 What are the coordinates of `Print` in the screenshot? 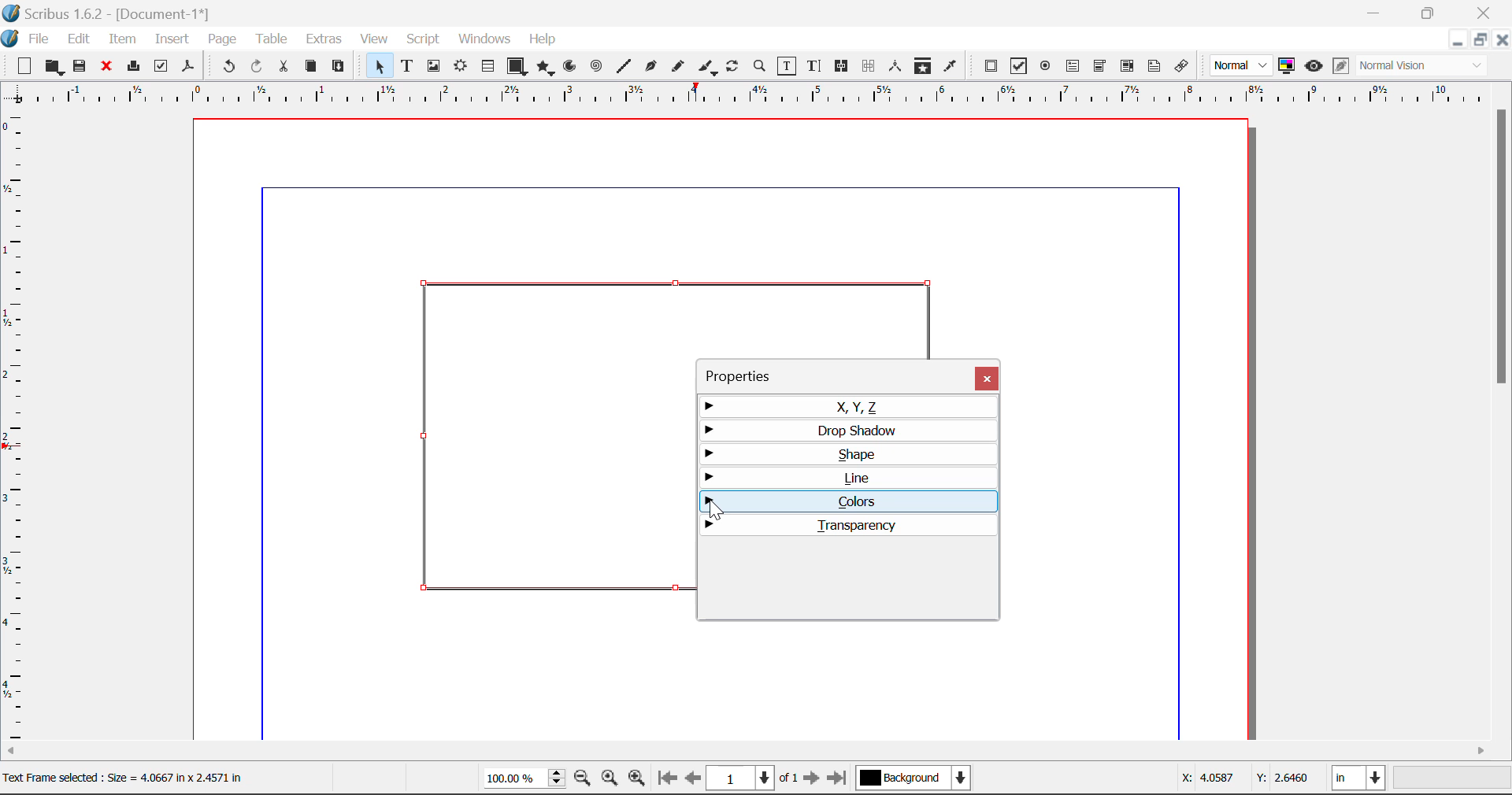 It's located at (132, 67).